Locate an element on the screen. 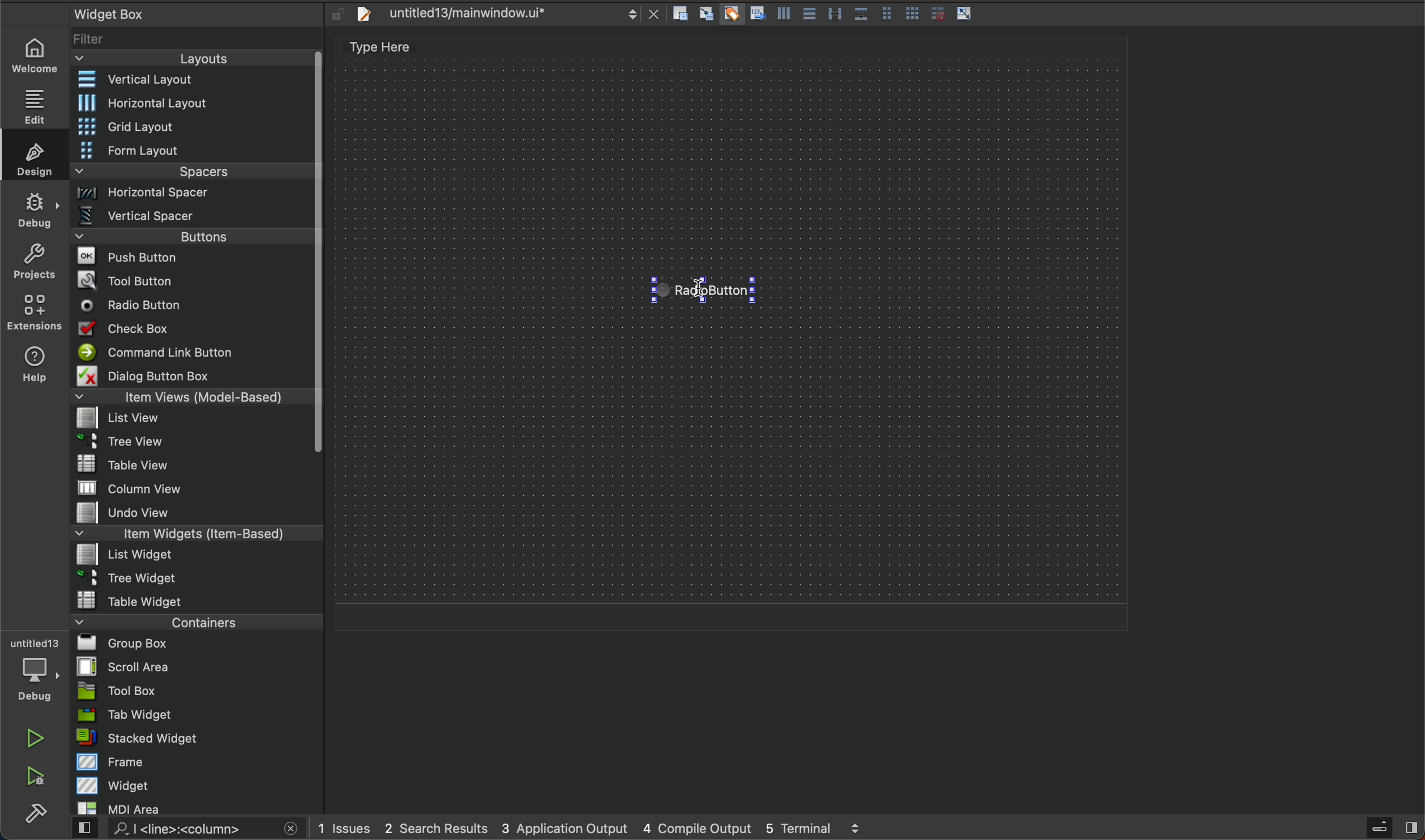 The width and height of the screenshot is (1425, 840). run and debug is located at coordinates (37, 778).